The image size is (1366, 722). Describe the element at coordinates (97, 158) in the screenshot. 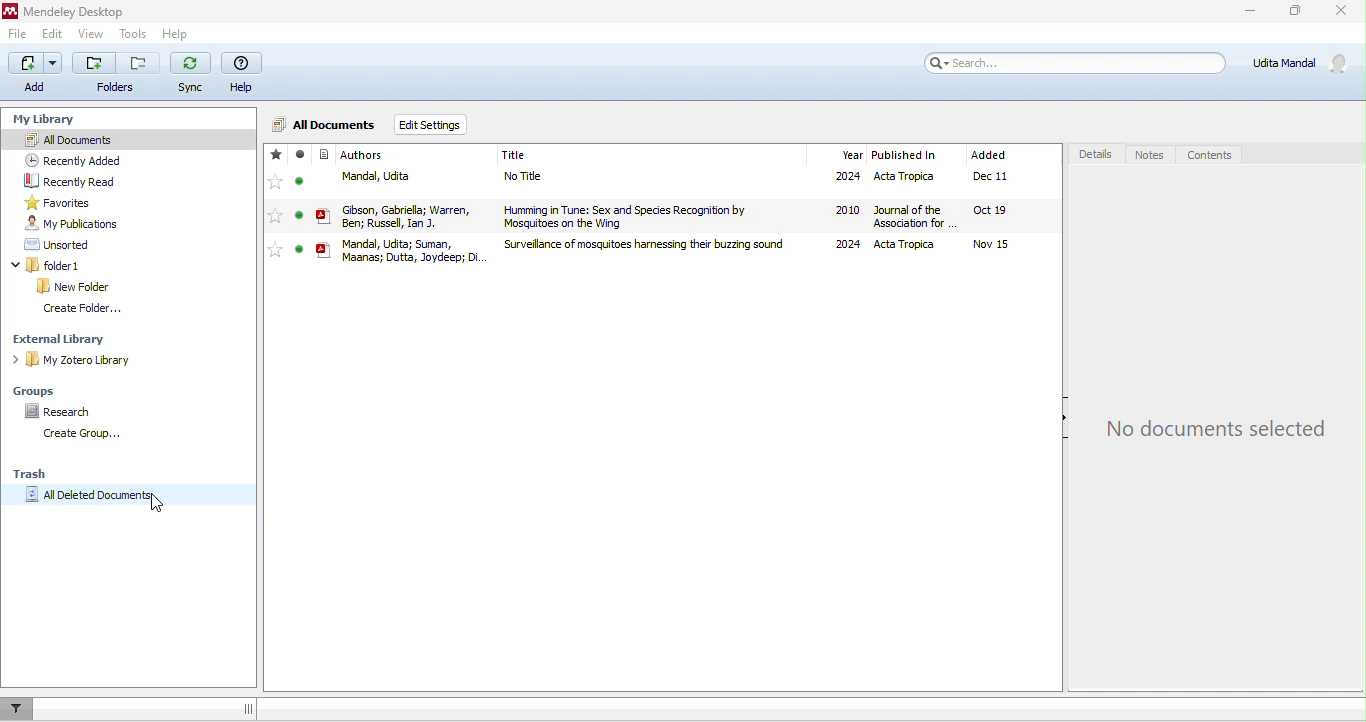

I see `recently added` at that location.